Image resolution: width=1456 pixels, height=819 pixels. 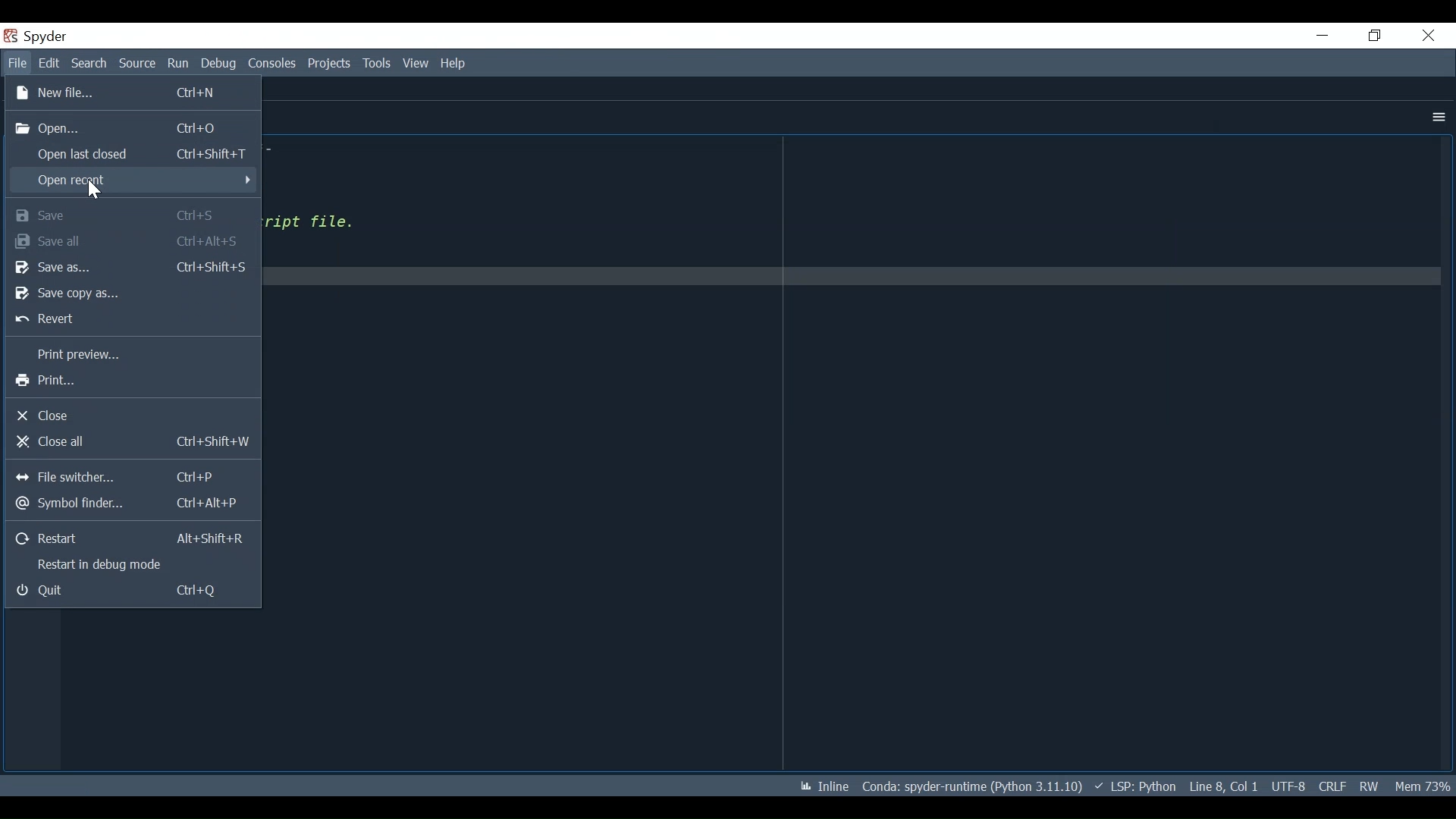 What do you see at coordinates (130, 127) in the screenshot?
I see `Open` at bounding box center [130, 127].